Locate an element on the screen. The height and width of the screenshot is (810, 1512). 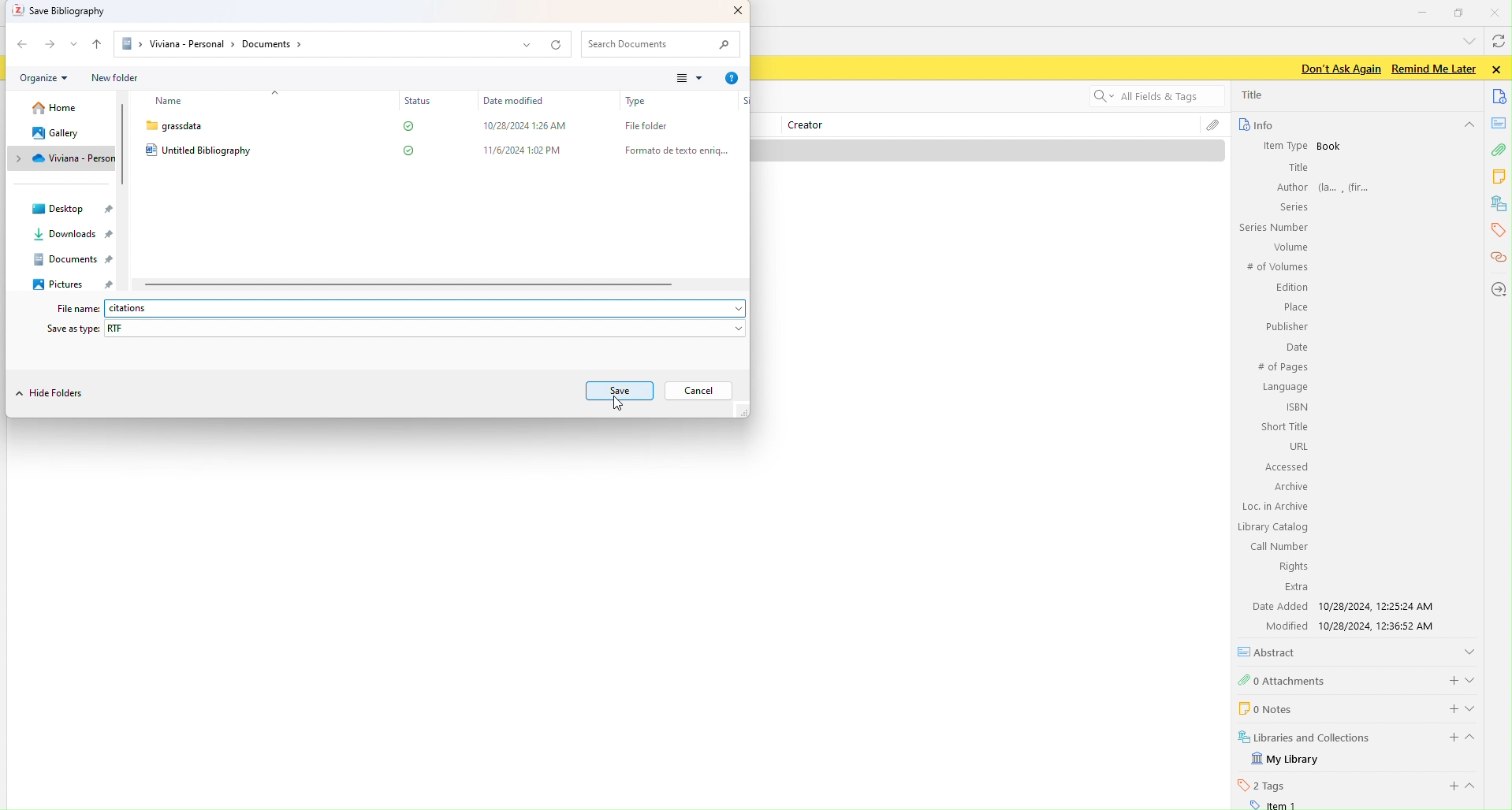
Close is located at coordinates (1497, 12).